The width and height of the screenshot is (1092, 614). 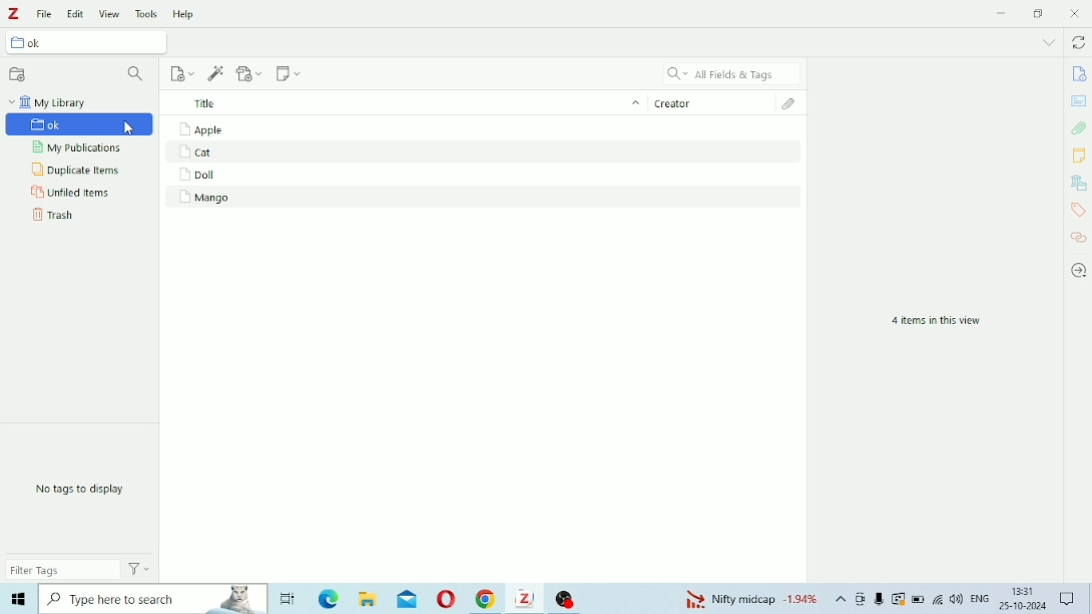 I want to click on Task View, so click(x=288, y=599).